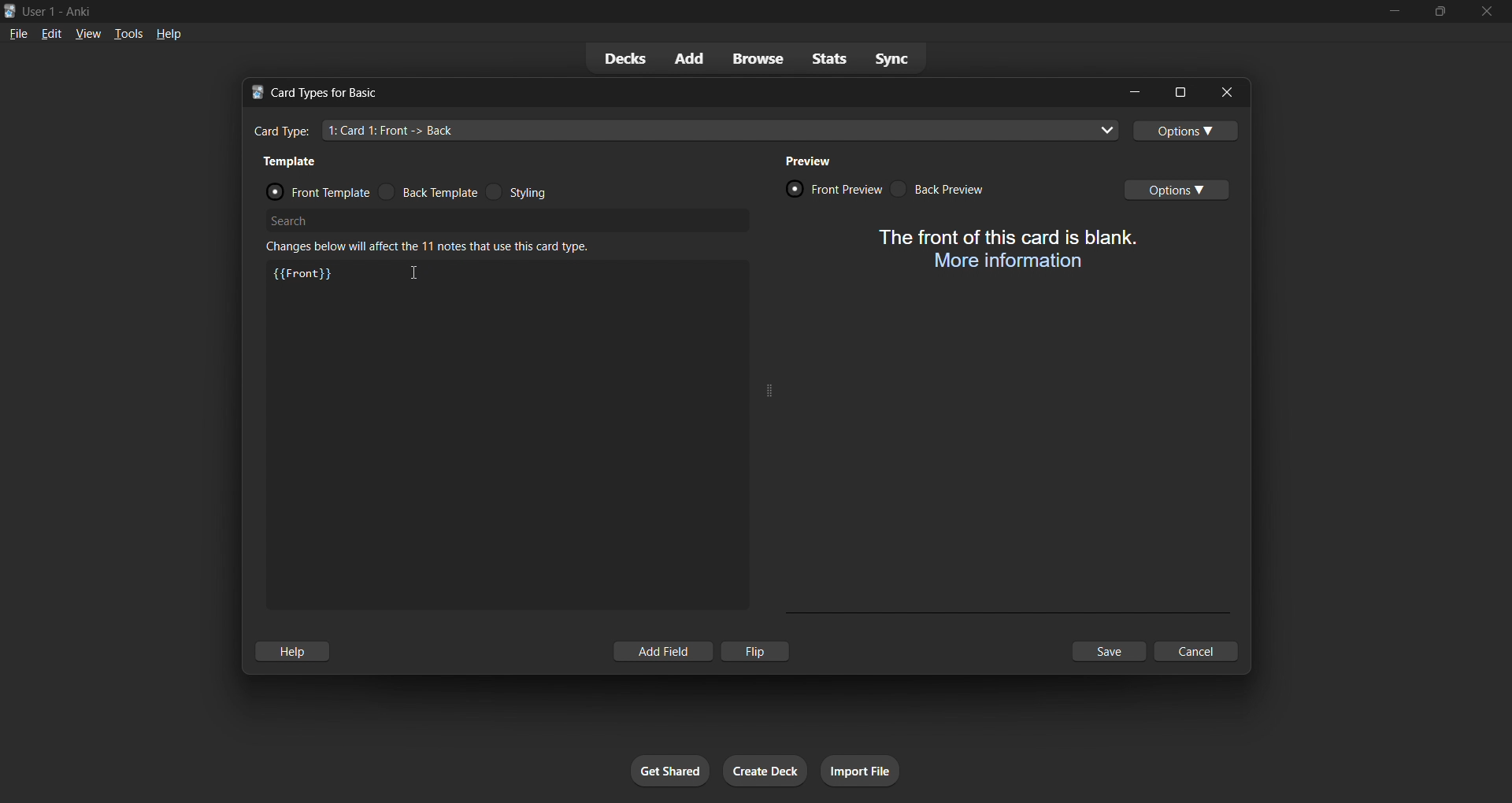 The width and height of the screenshot is (1512, 803). I want to click on edit, so click(51, 35).